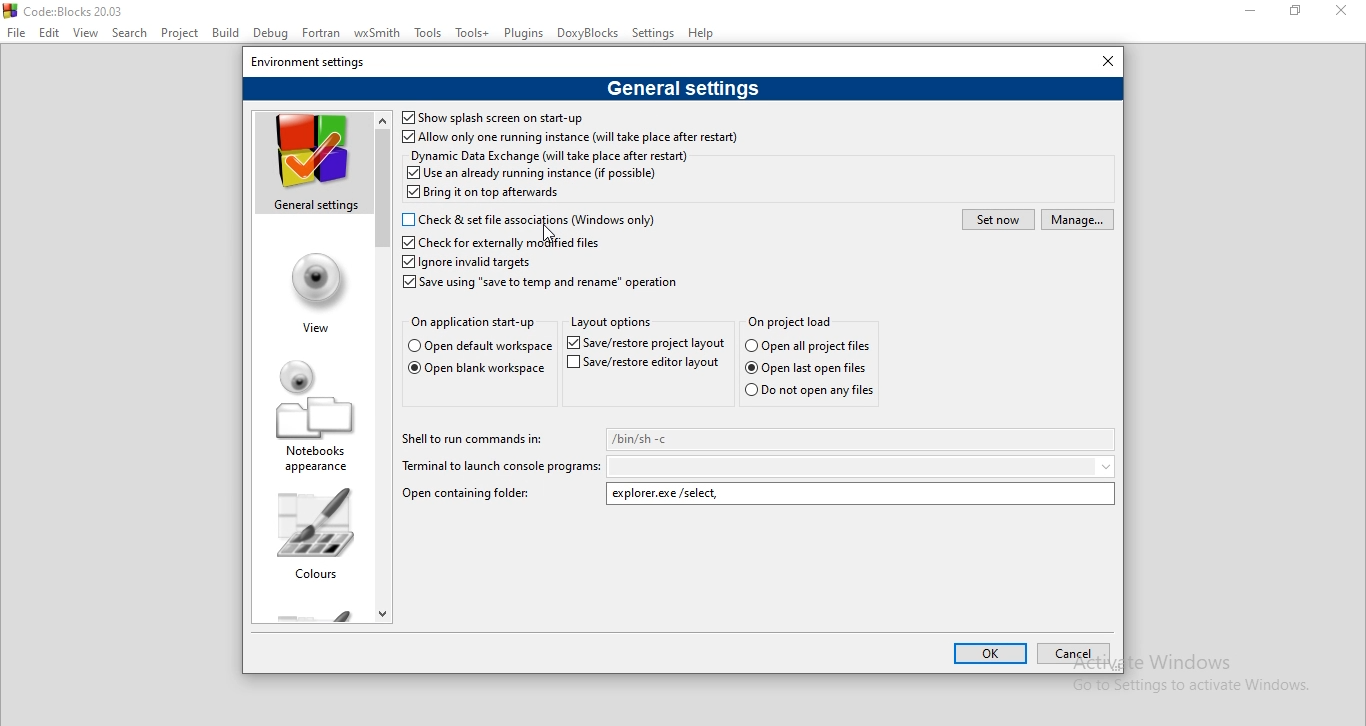 The width and height of the screenshot is (1366, 726). I want to click on Open containing folder, so click(466, 492).